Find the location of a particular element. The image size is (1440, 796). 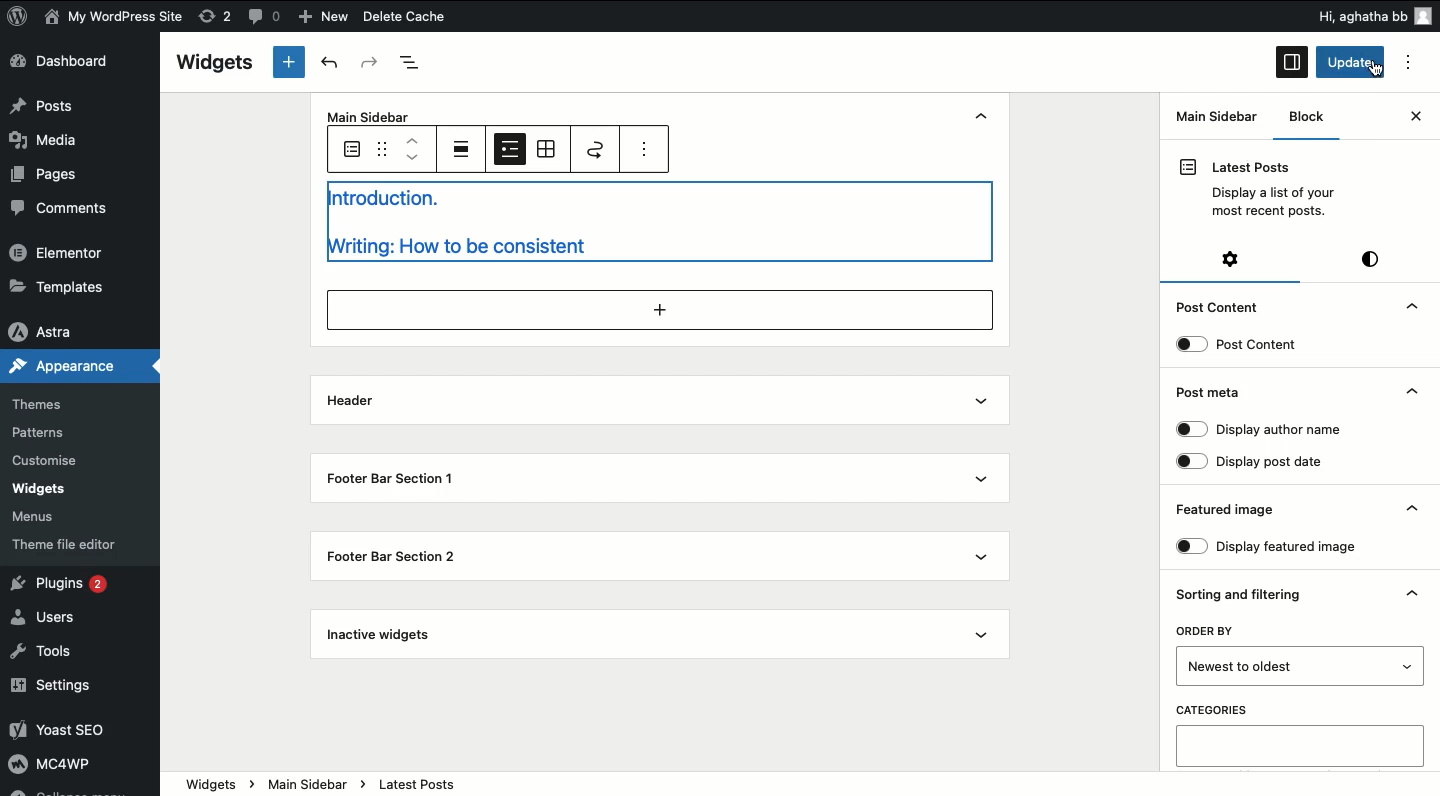

Undo is located at coordinates (332, 63).